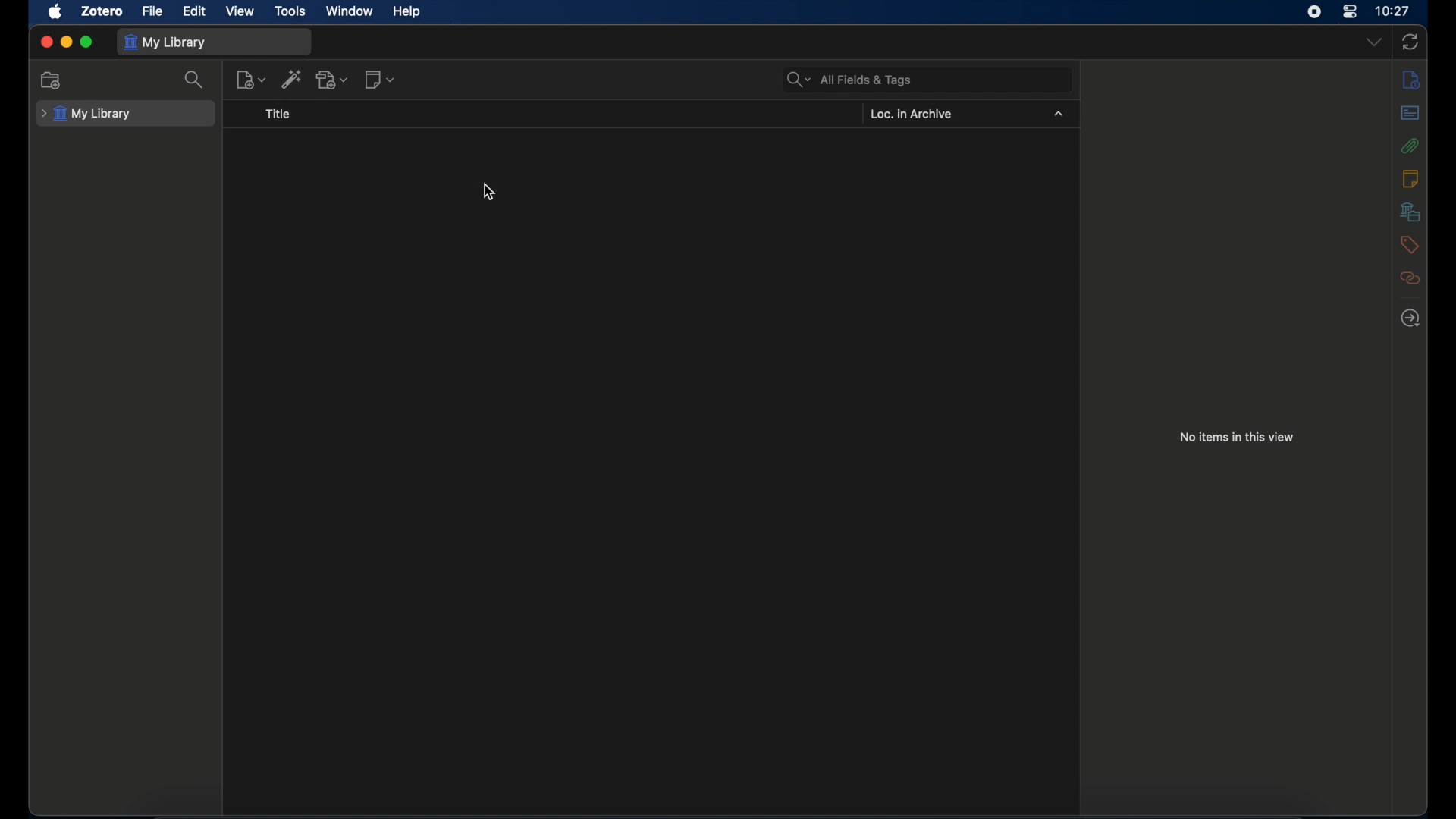  What do you see at coordinates (55, 12) in the screenshot?
I see `apple` at bounding box center [55, 12].